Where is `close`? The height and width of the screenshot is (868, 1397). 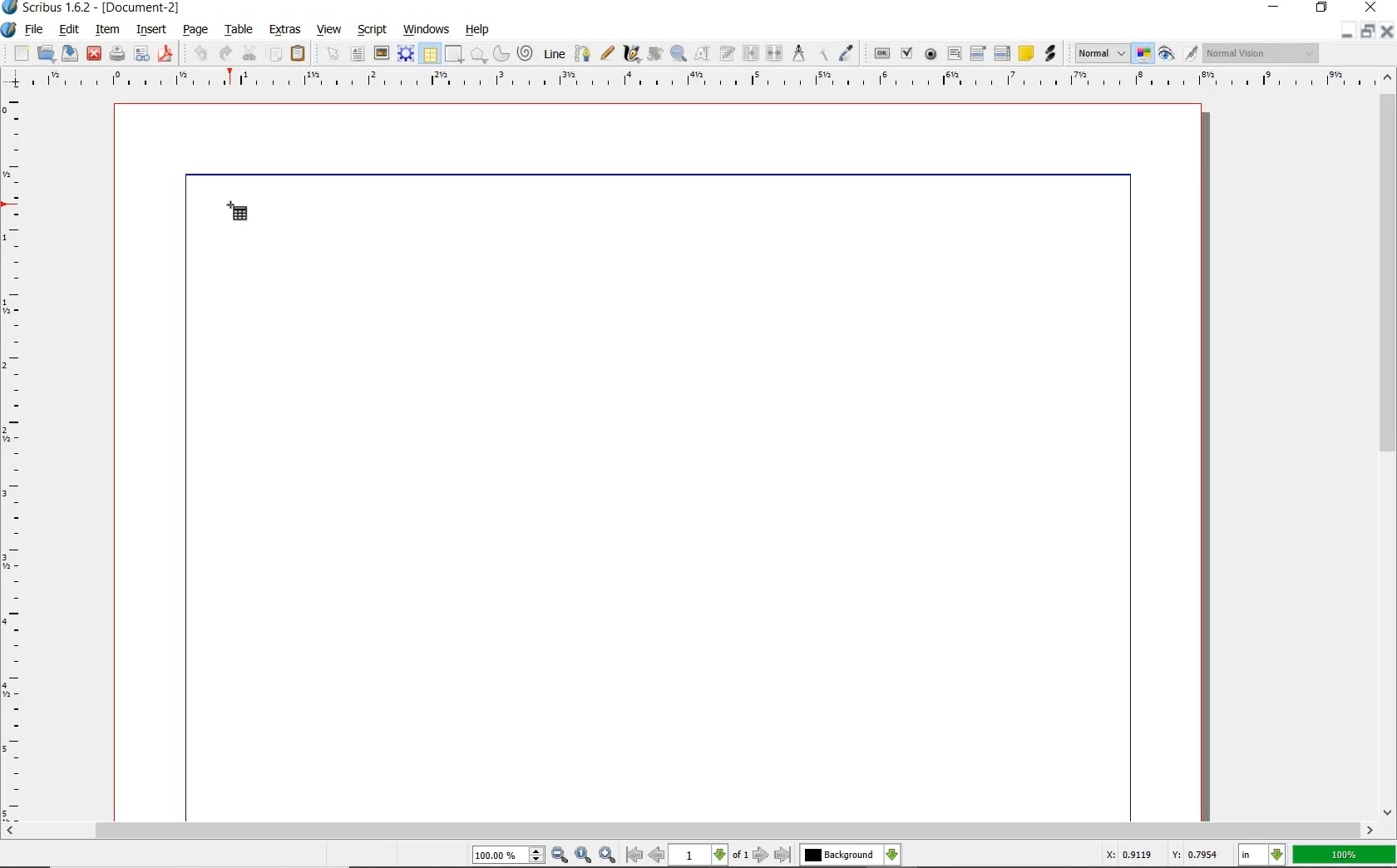 close is located at coordinates (1370, 8).